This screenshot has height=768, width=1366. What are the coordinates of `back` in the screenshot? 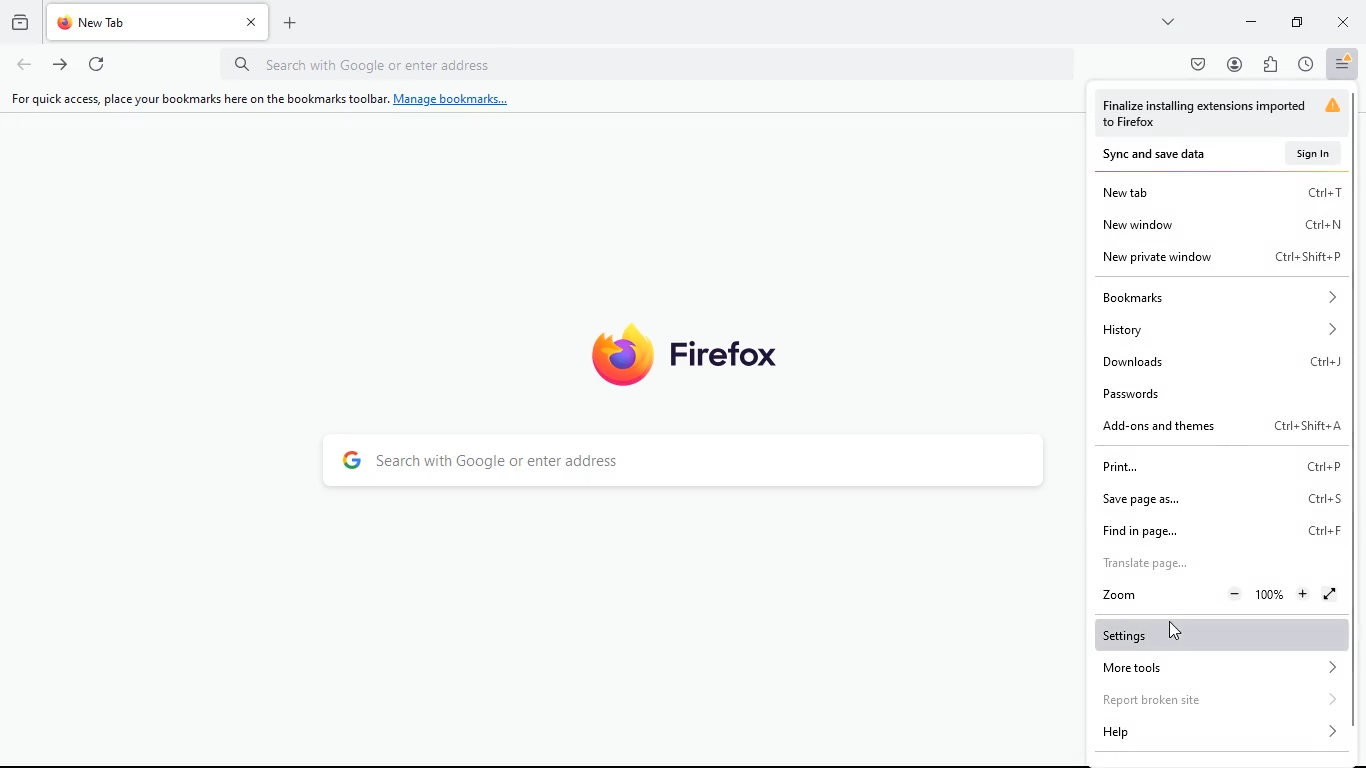 It's located at (22, 65).